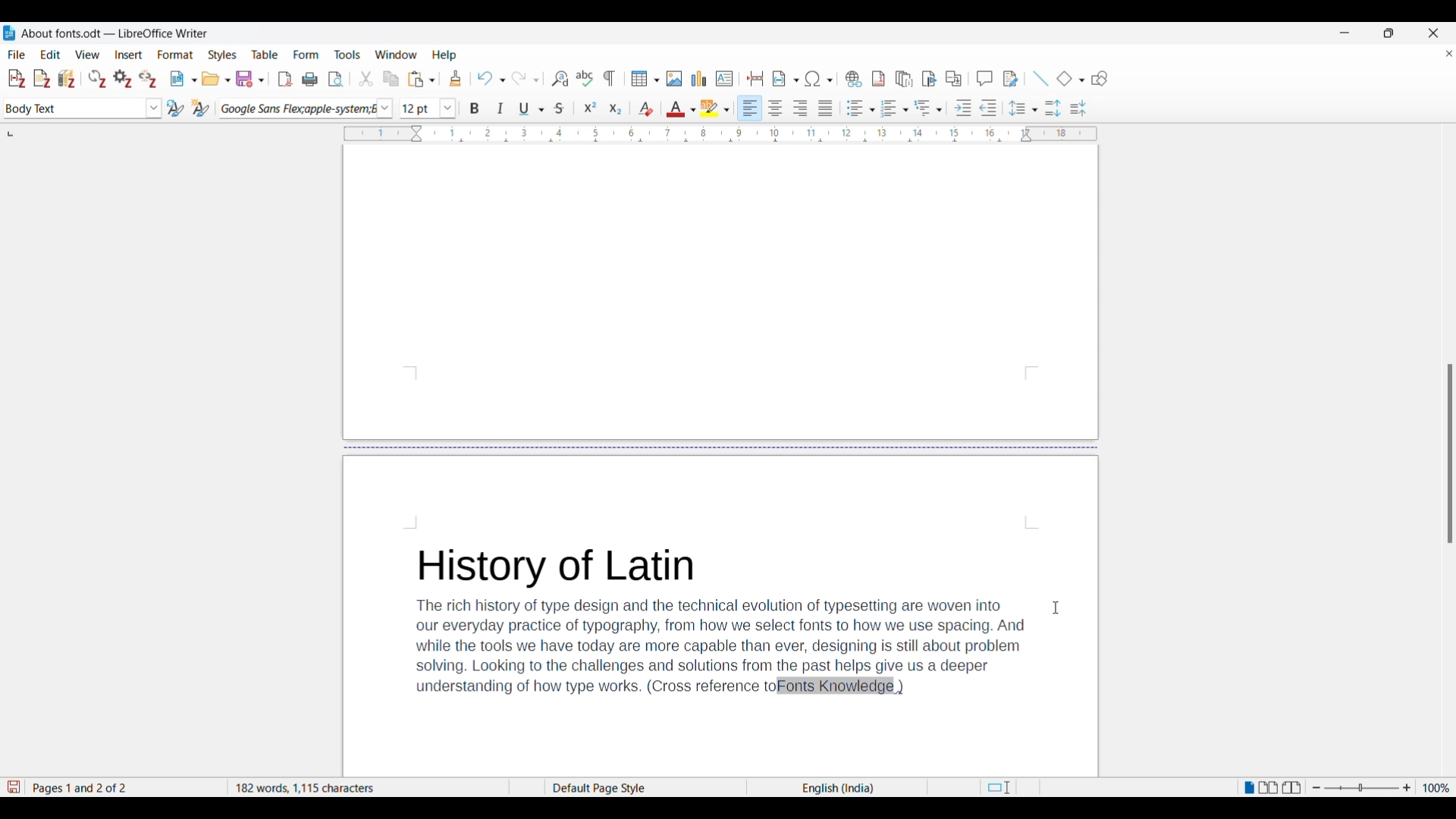  I want to click on Increase paragraph spacing, so click(1053, 108).